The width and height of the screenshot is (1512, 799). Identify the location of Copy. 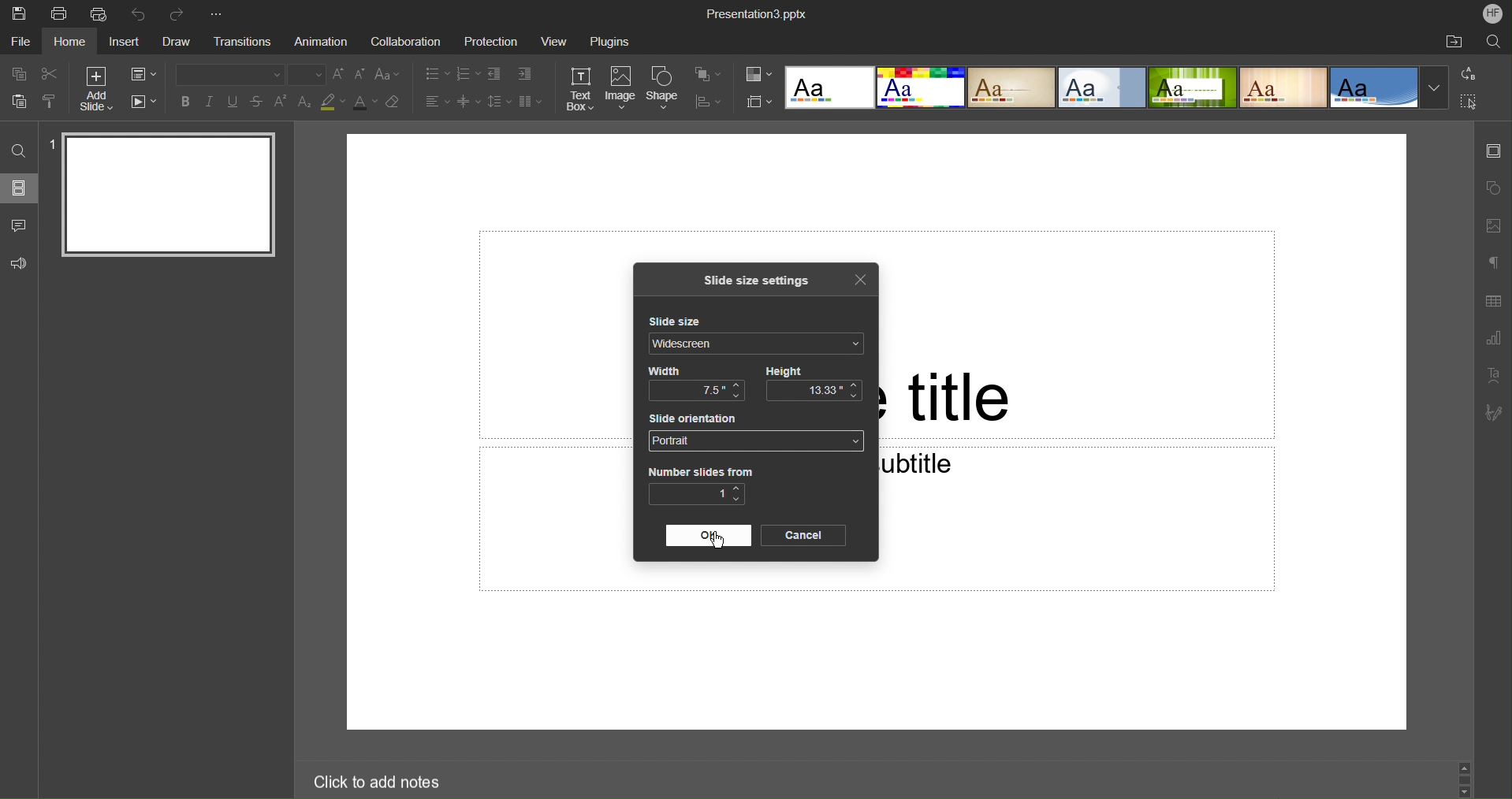
(16, 73).